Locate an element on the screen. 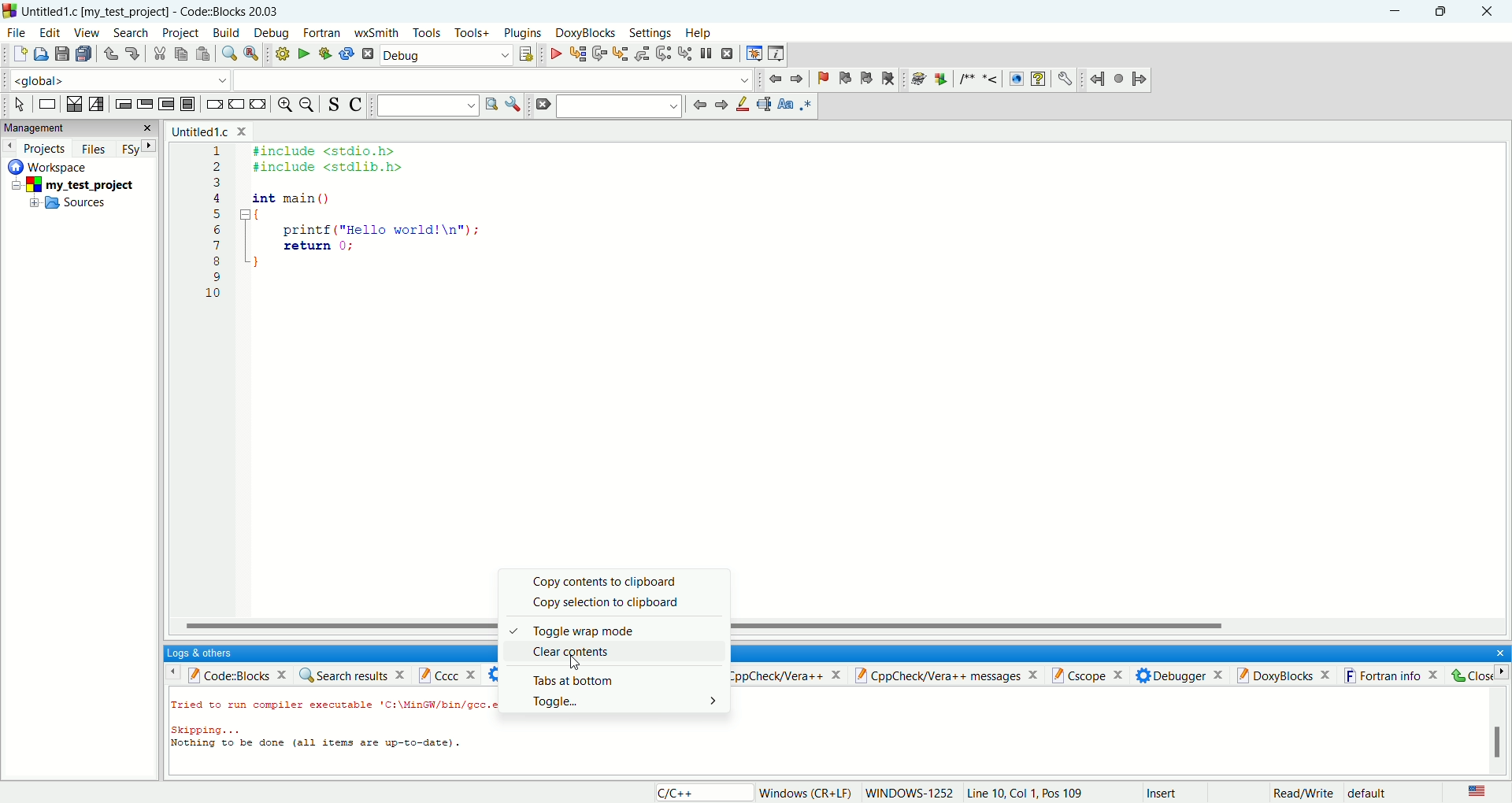 This screenshot has width=1512, height=803. next line is located at coordinates (600, 54).